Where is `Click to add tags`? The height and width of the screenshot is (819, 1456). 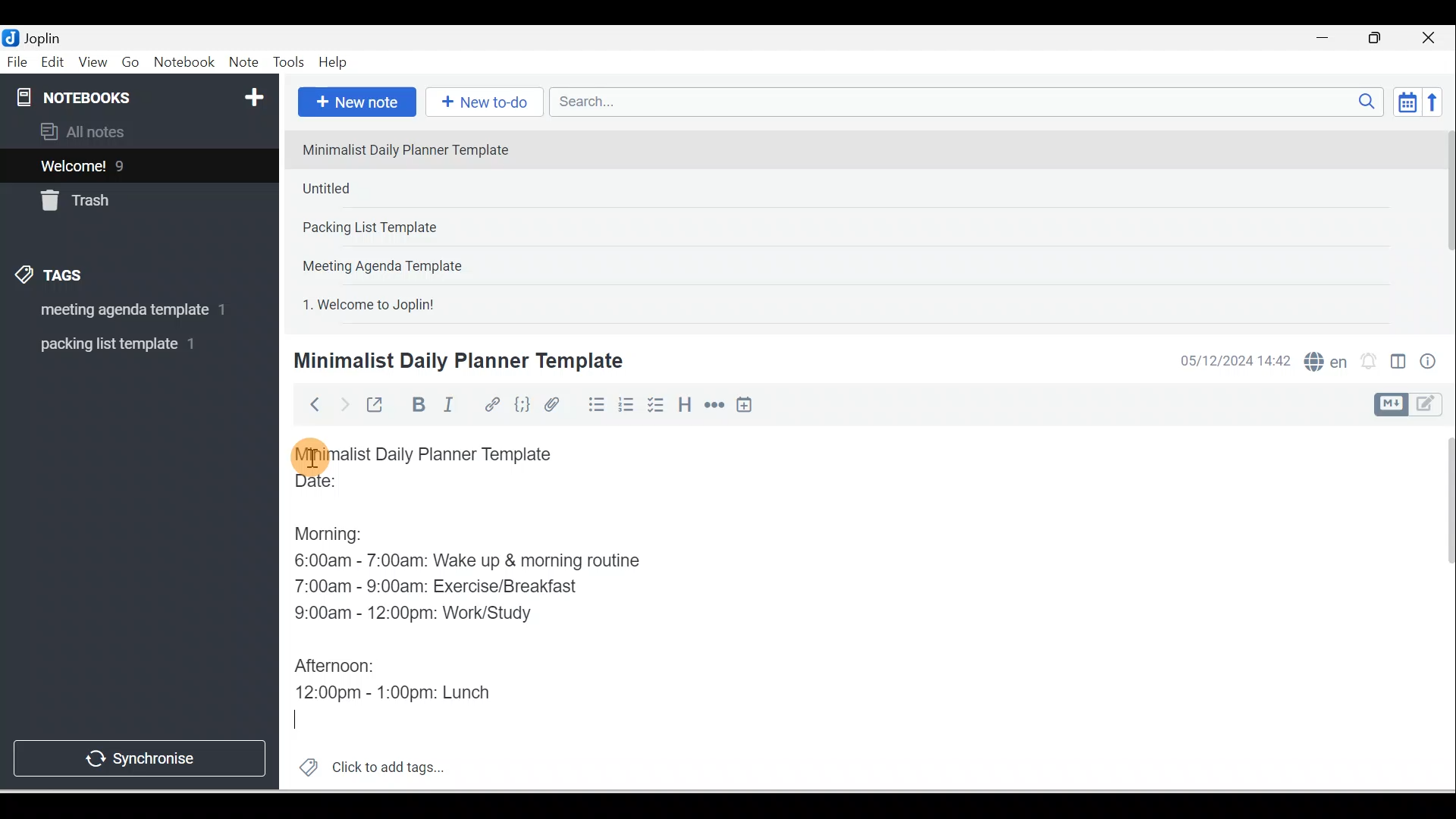 Click to add tags is located at coordinates (366, 765).